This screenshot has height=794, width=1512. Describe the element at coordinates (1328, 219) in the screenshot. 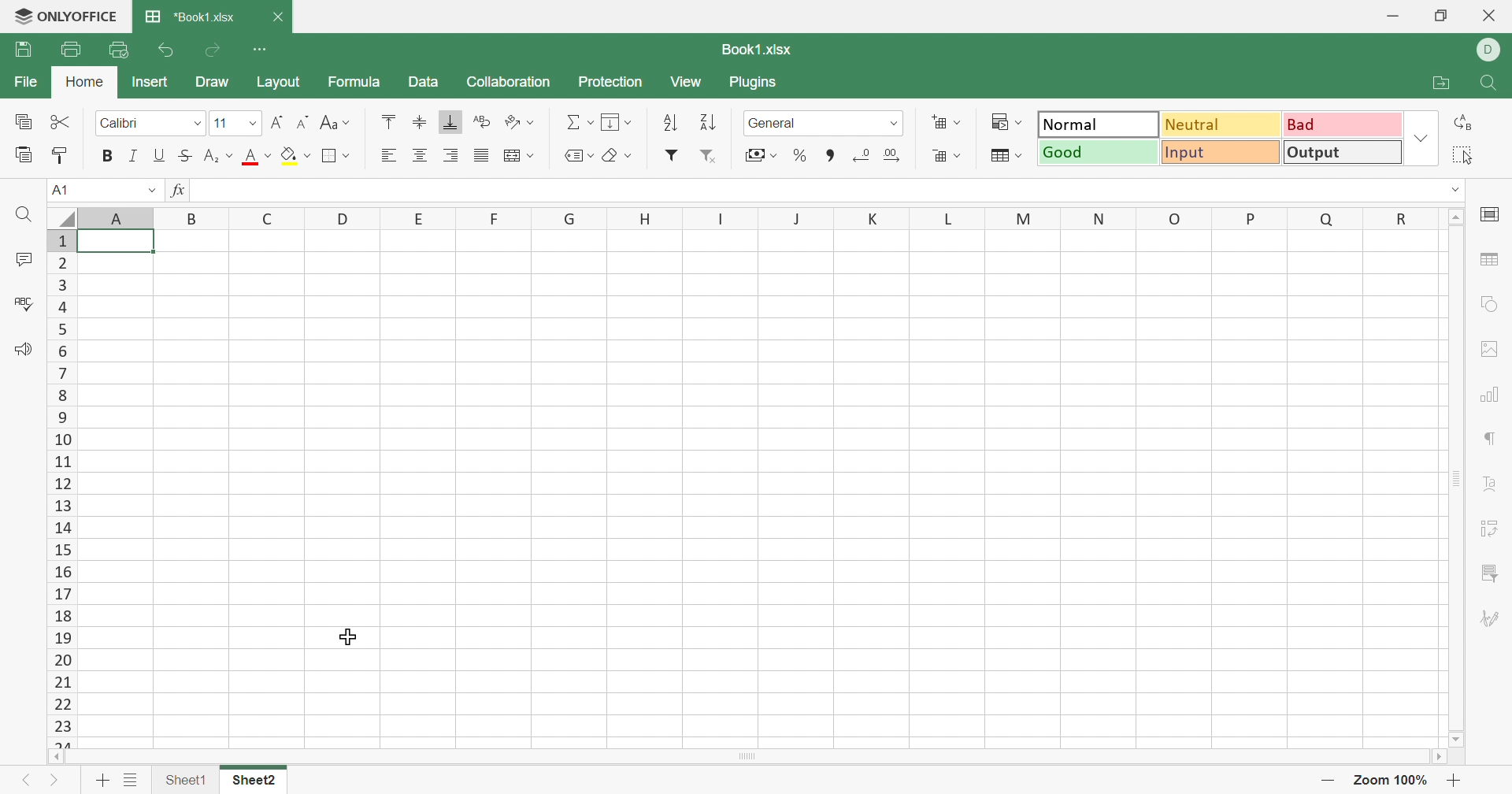

I see `Q` at that location.